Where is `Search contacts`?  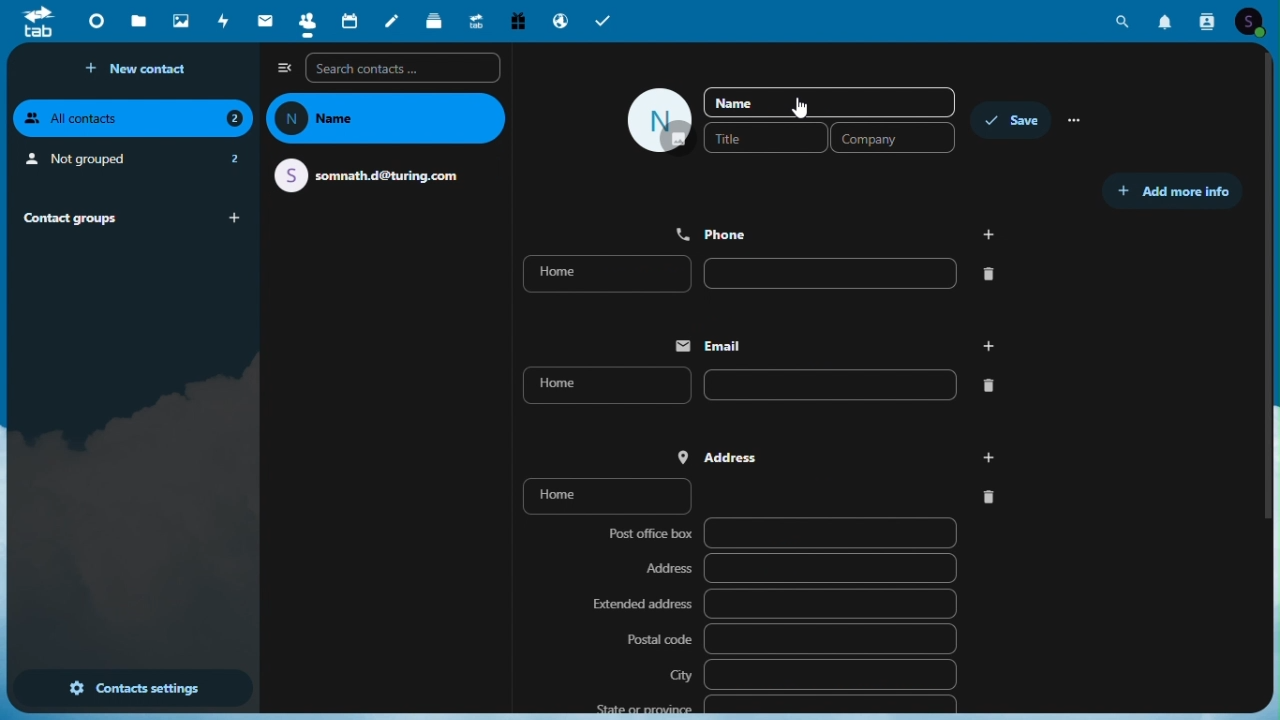
Search contacts is located at coordinates (404, 68).